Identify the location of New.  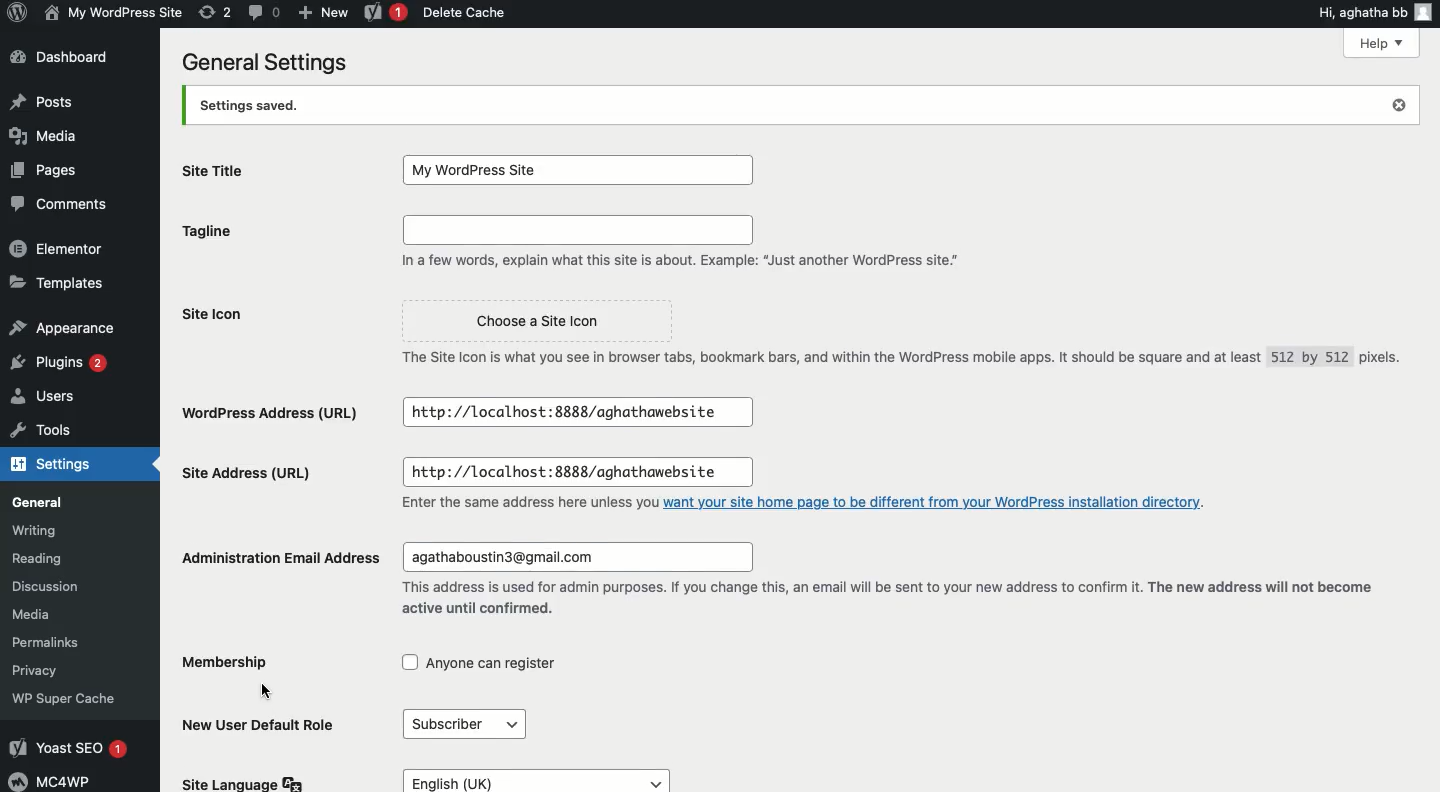
(325, 12).